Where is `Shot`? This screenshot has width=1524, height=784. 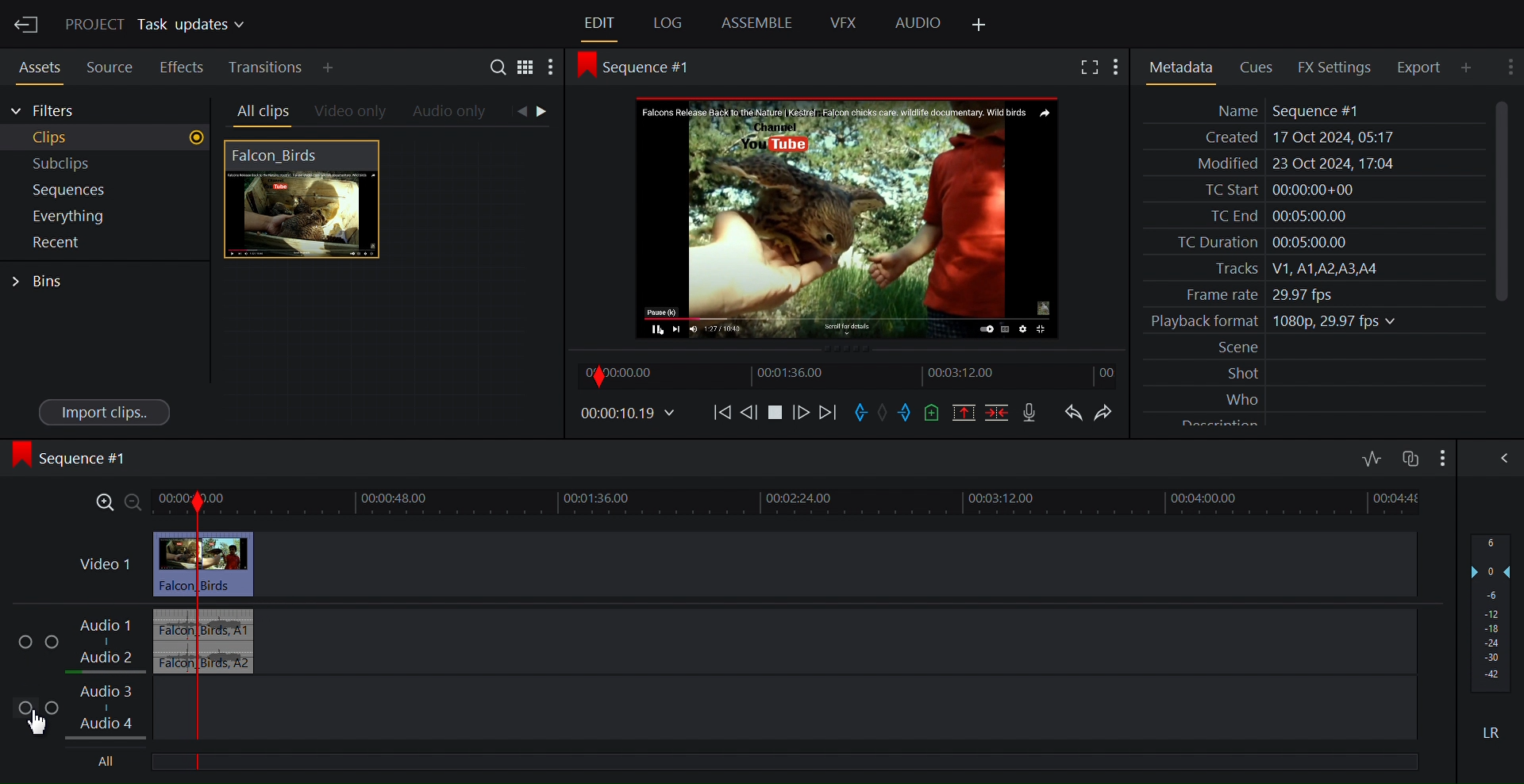
Shot is located at coordinates (1315, 372).